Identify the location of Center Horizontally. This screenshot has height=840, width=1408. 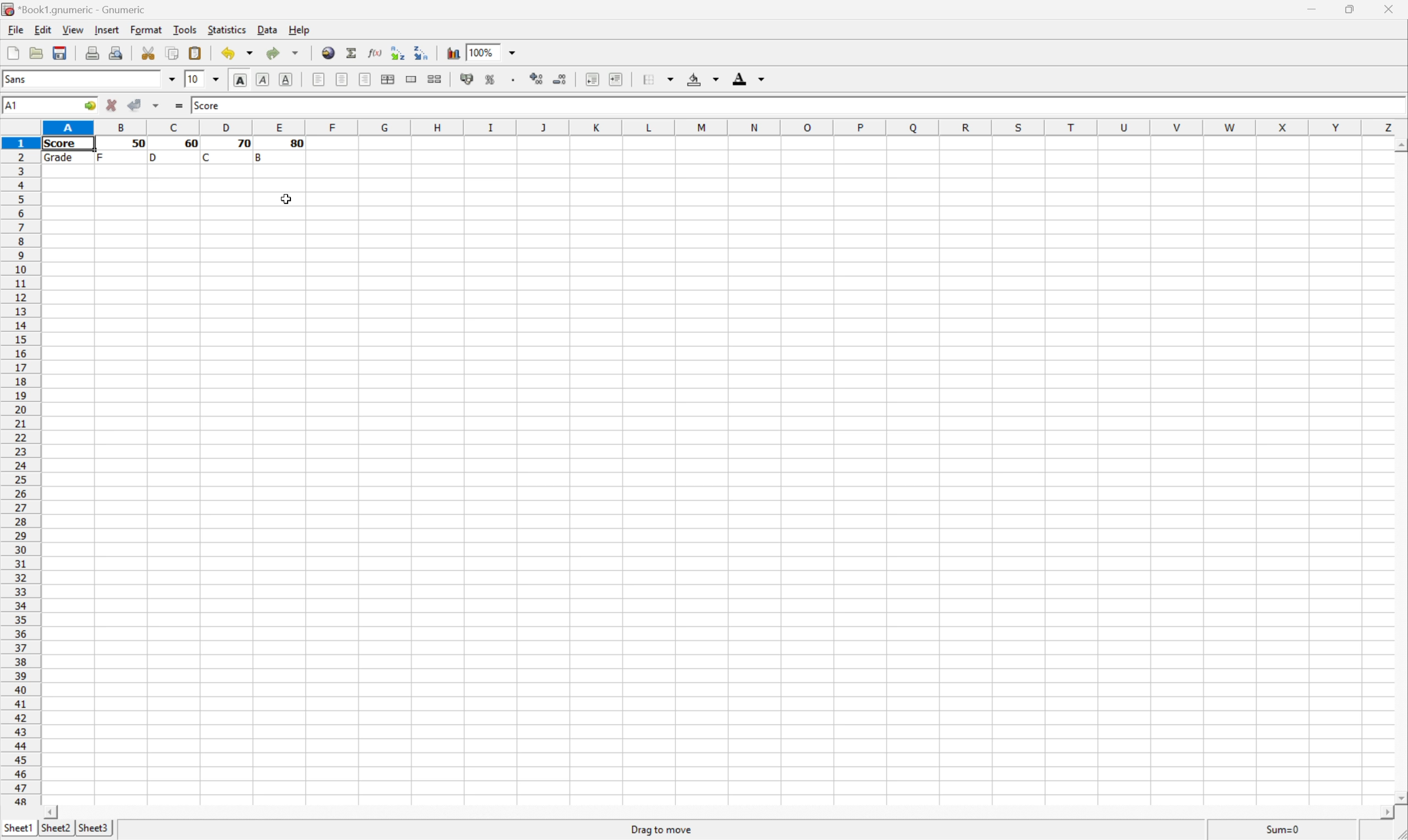
(340, 80).